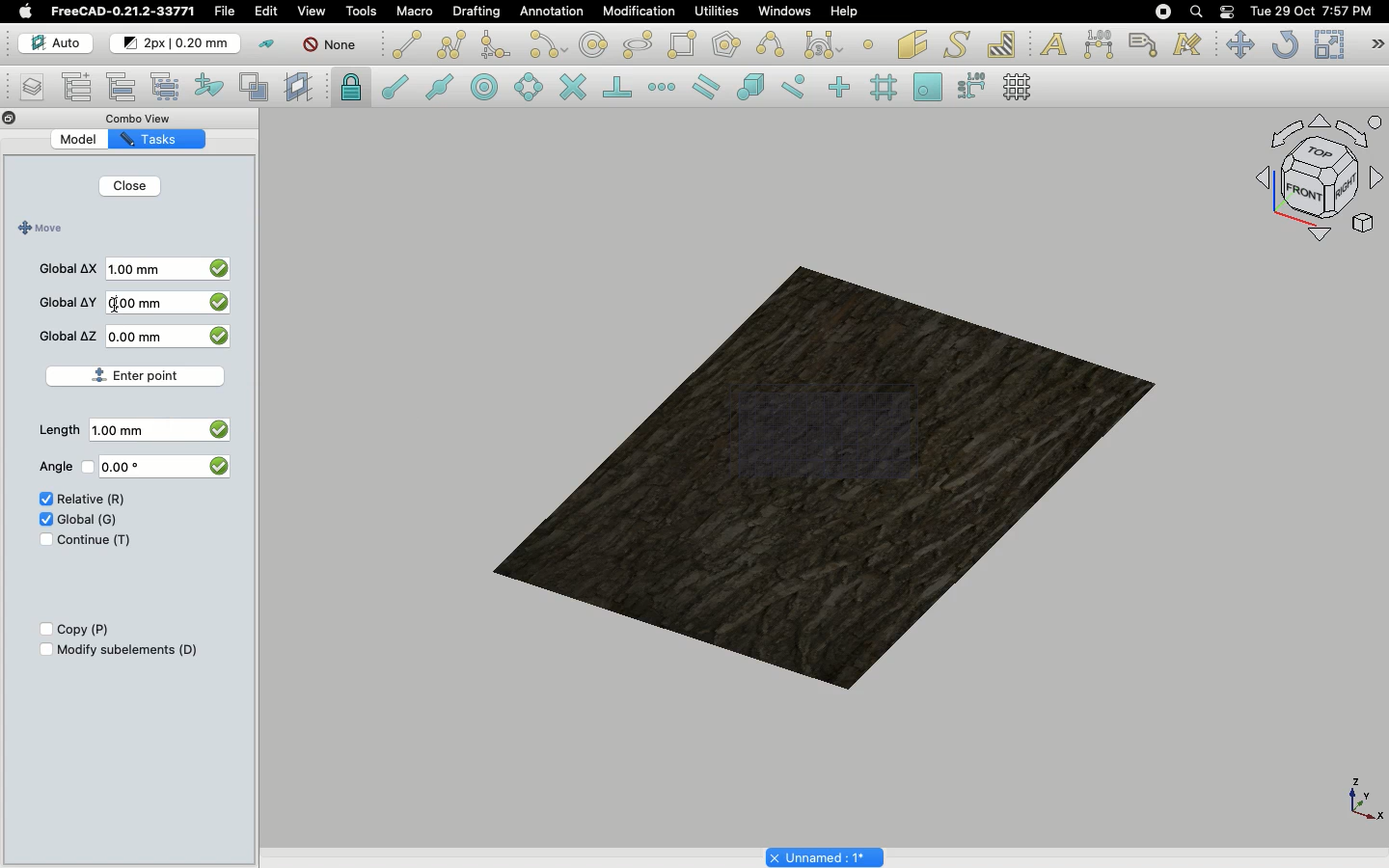 Image resolution: width=1389 pixels, height=868 pixels. I want to click on Point, so click(868, 42).